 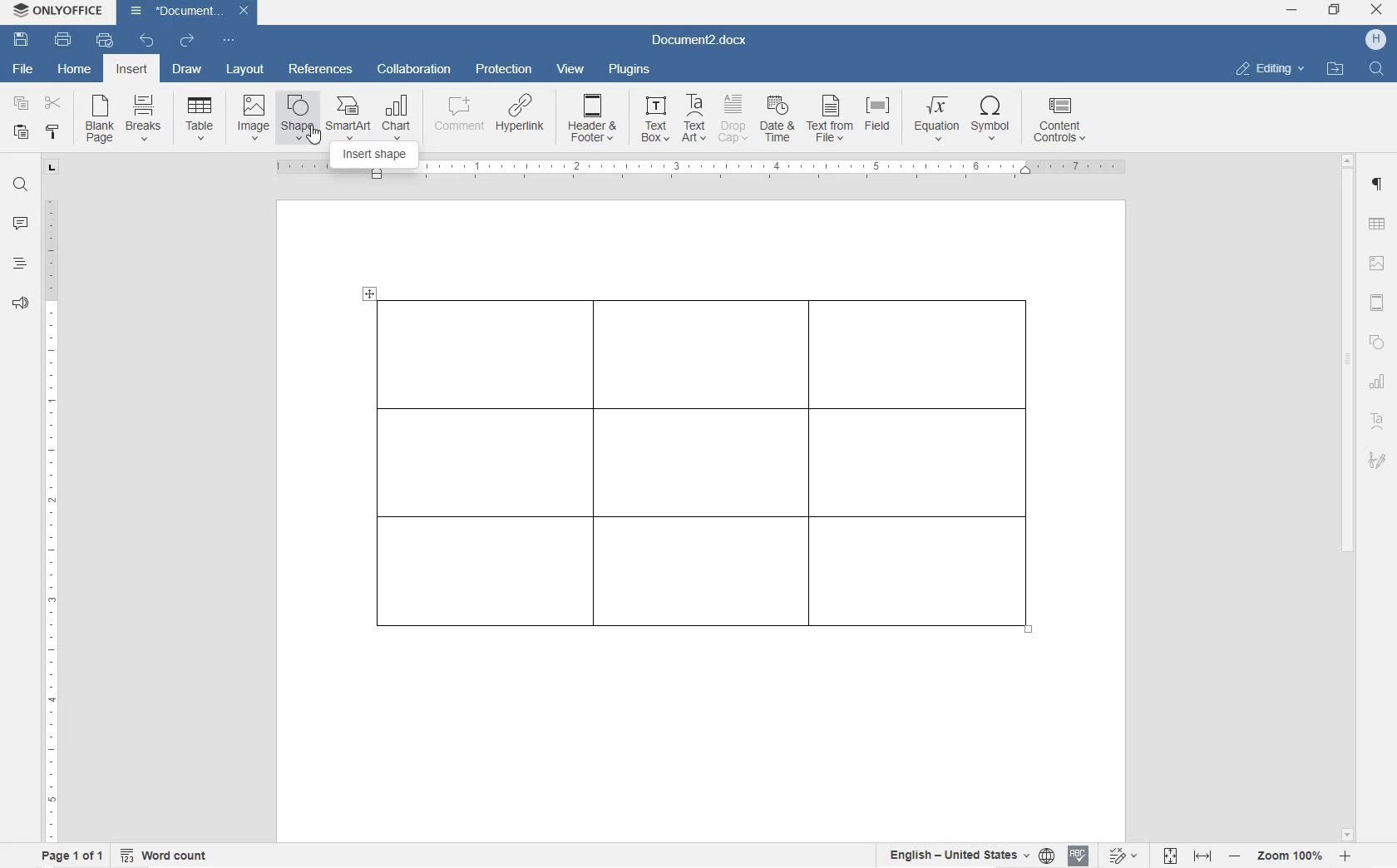 I want to click on draw, so click(x=187, y=69).